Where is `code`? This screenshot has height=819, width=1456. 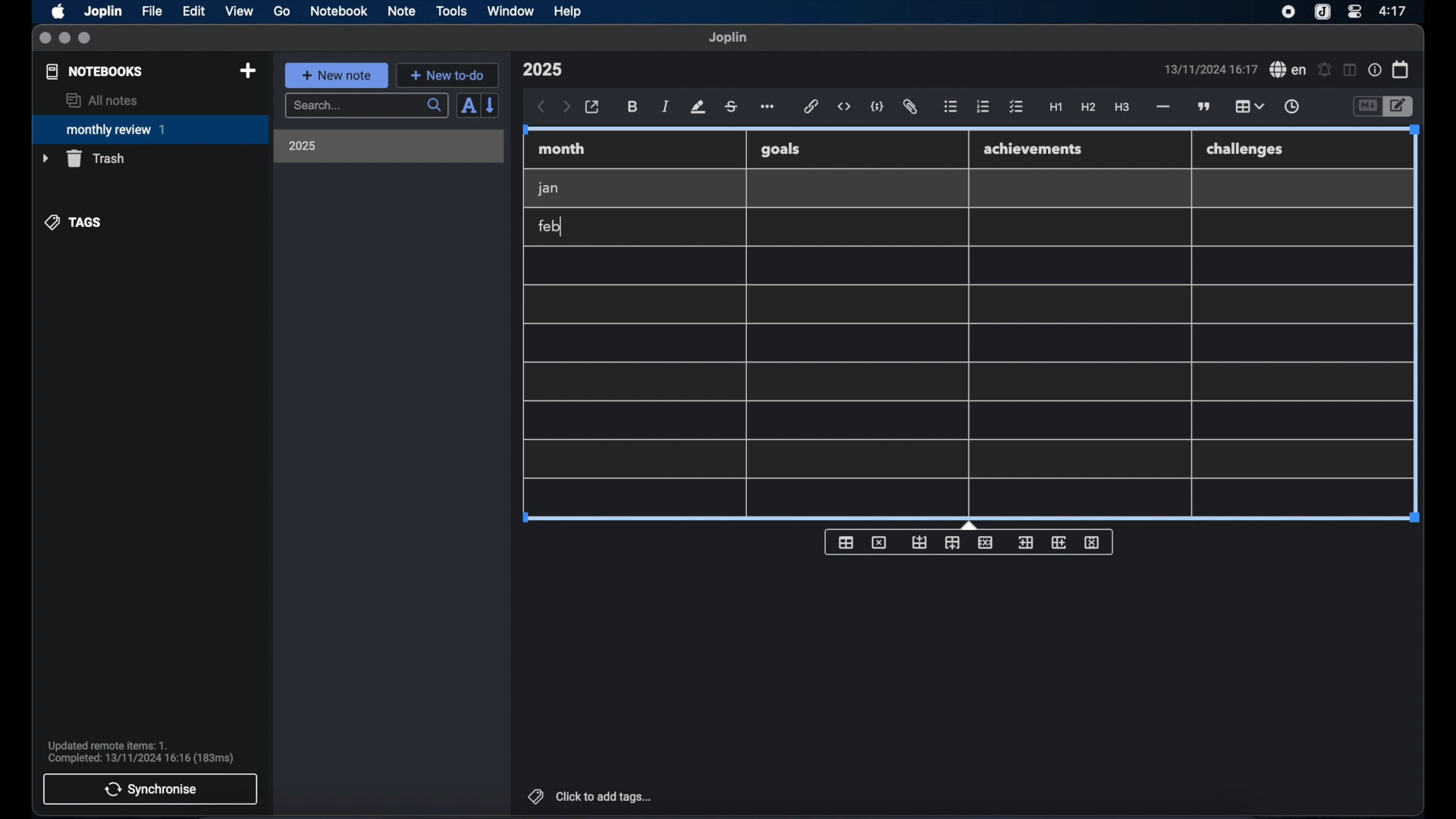 code is located at coordinates (877, 108).